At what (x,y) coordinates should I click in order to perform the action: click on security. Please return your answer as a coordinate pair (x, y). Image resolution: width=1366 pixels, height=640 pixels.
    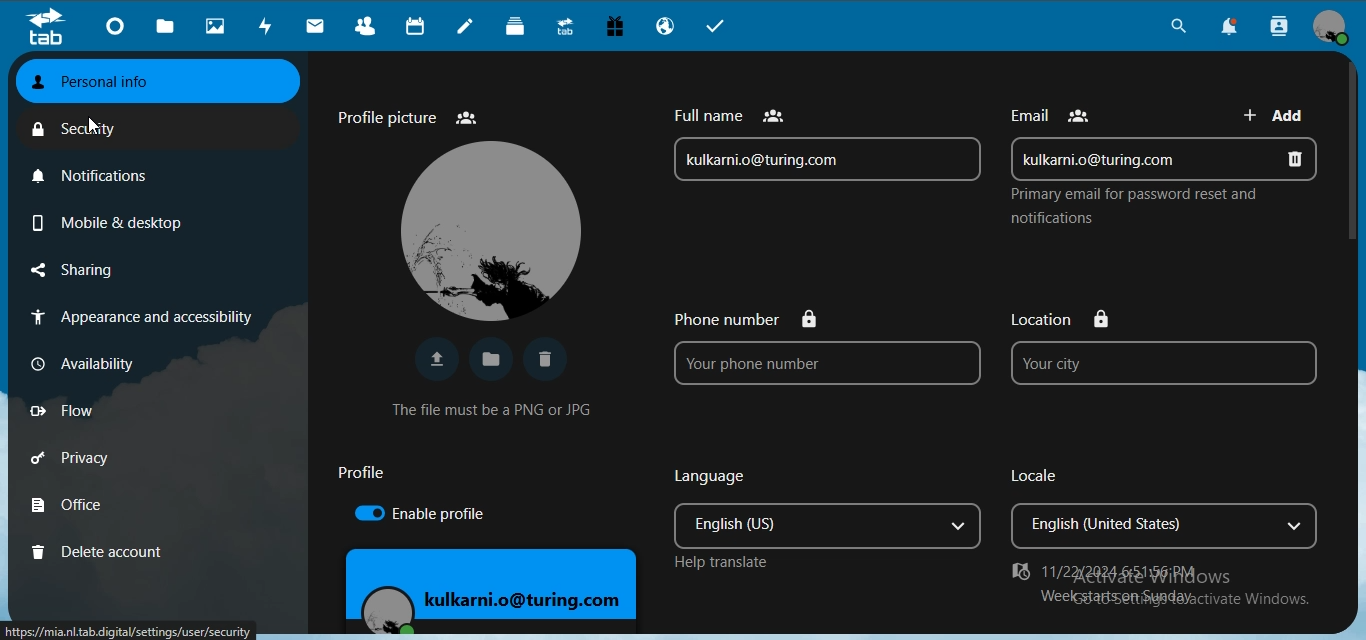
    Looking at the image, I should click on (89, 131).